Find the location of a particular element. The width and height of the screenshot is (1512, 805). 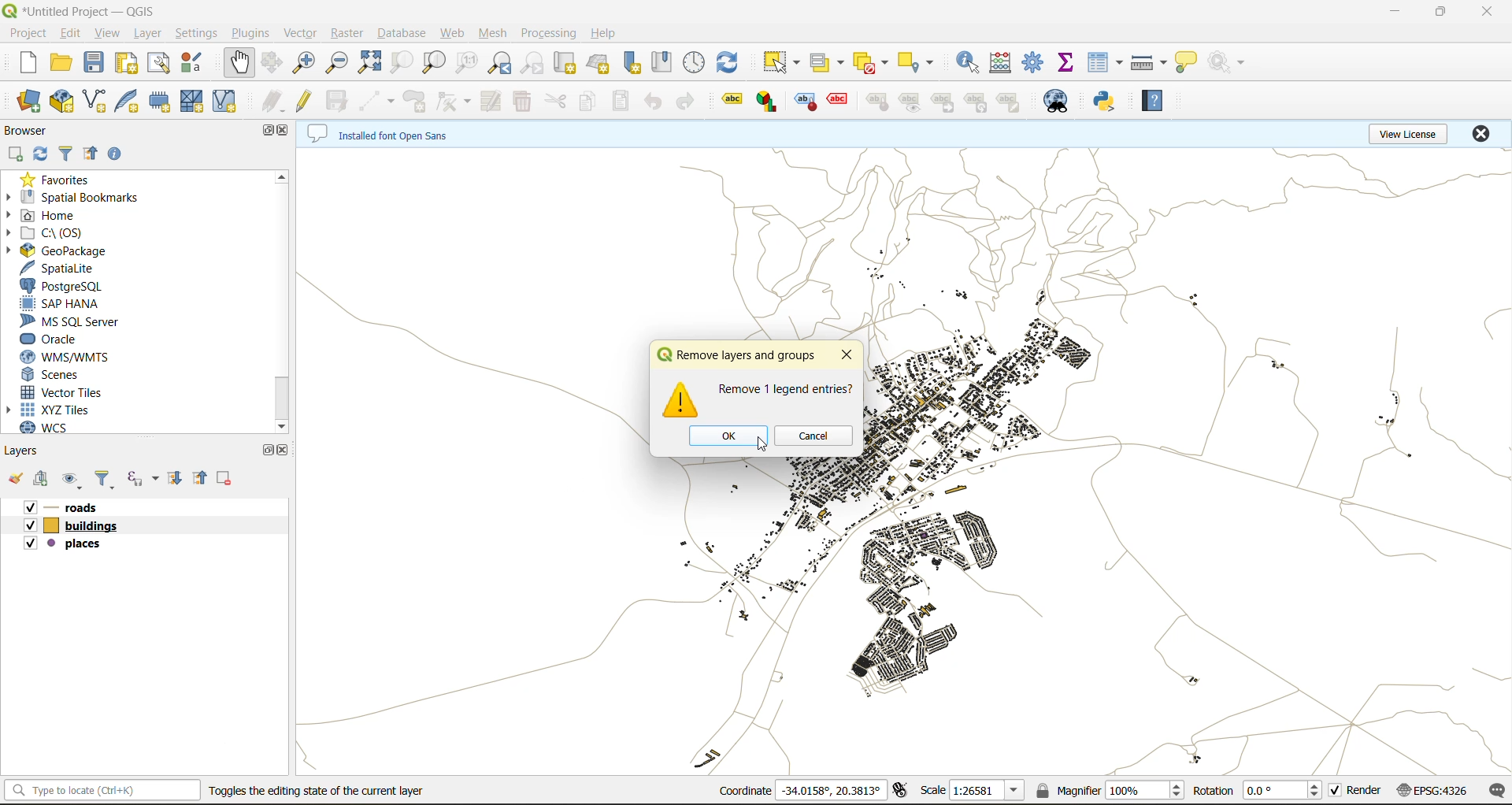

save edits is located at coordinates (343, 104).